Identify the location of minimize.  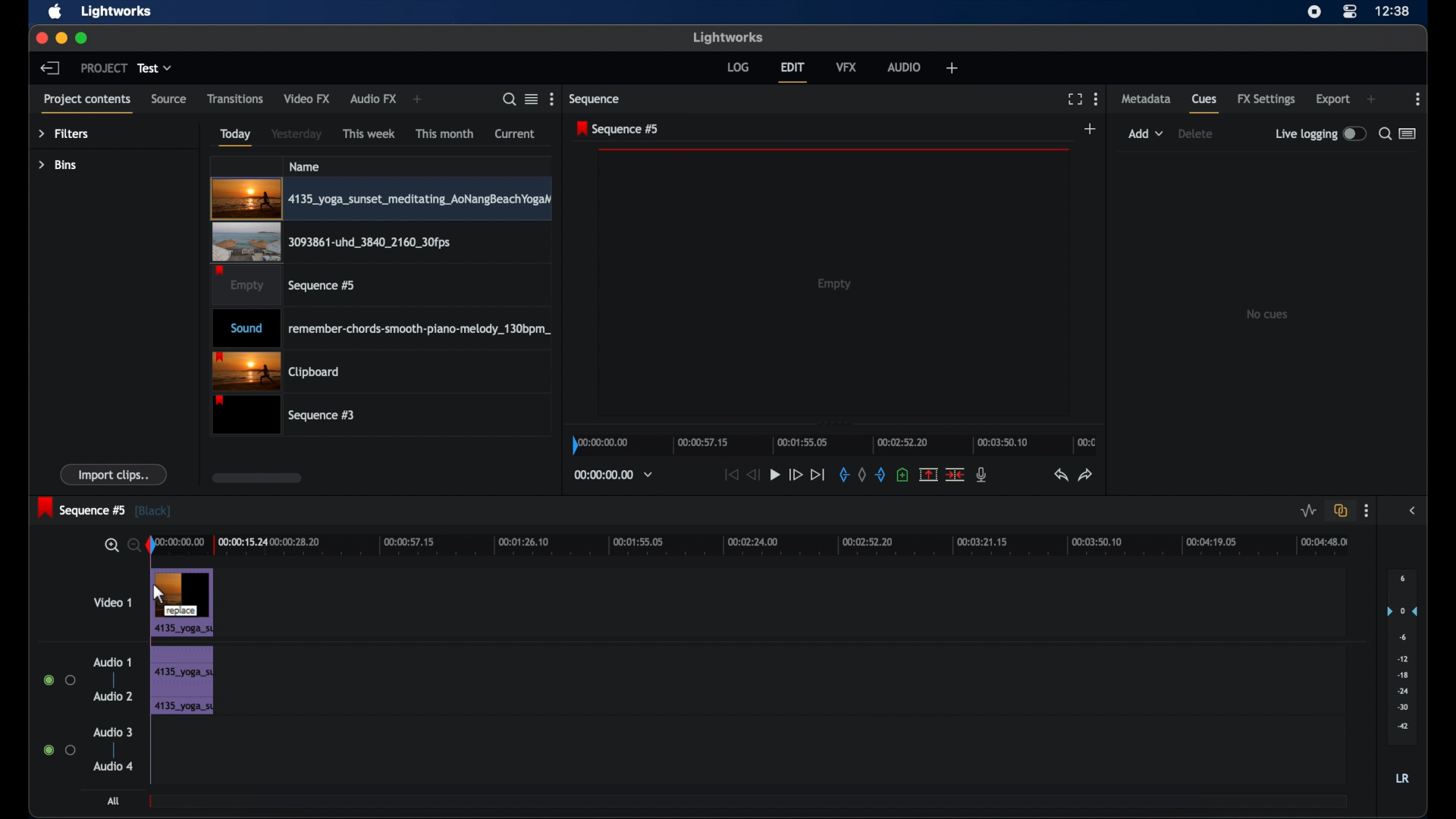
(62, 38).